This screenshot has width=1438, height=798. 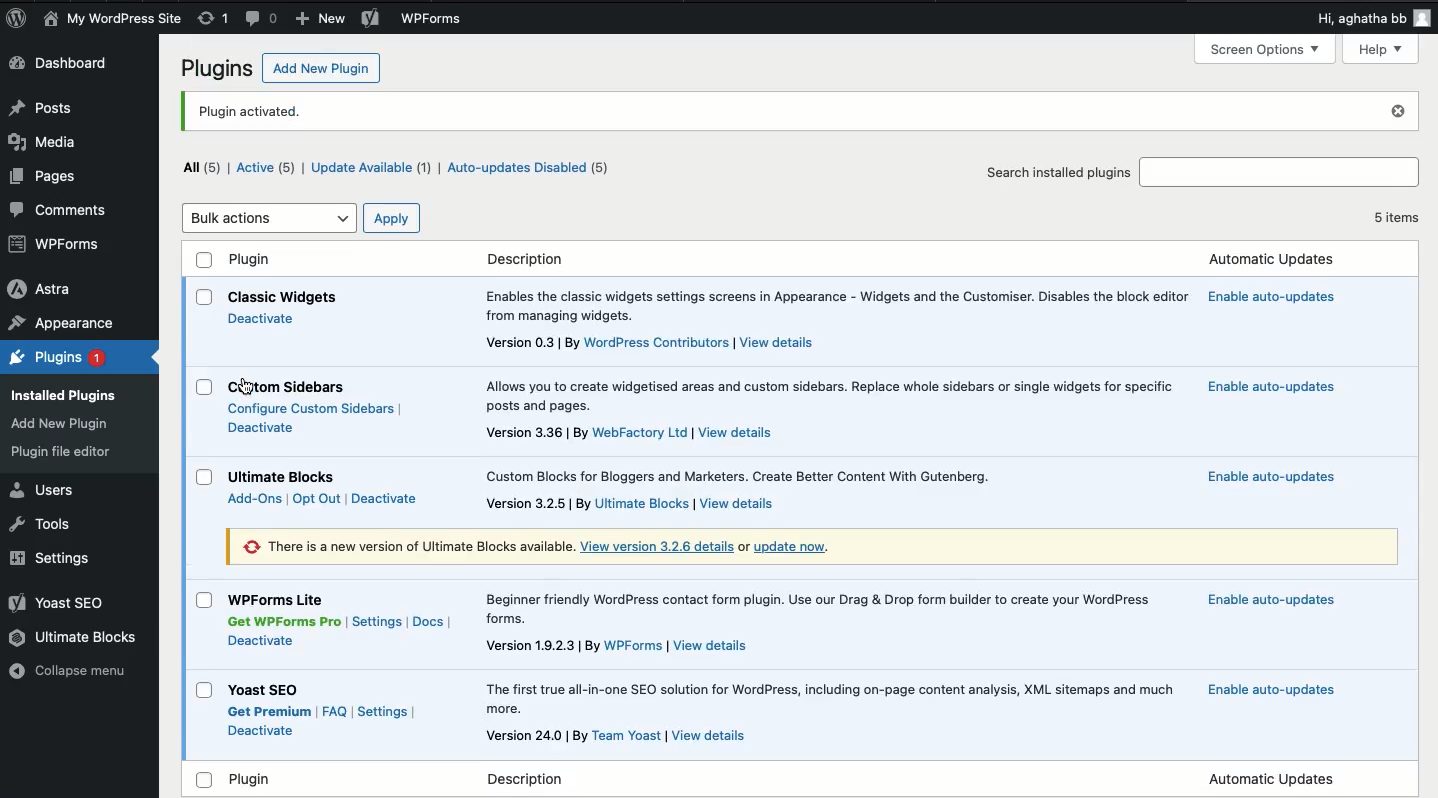 What do you see at coordinates (1270, 602) in the screenshot?
I see `Automatic updates` at bounding box center [1270, 602].